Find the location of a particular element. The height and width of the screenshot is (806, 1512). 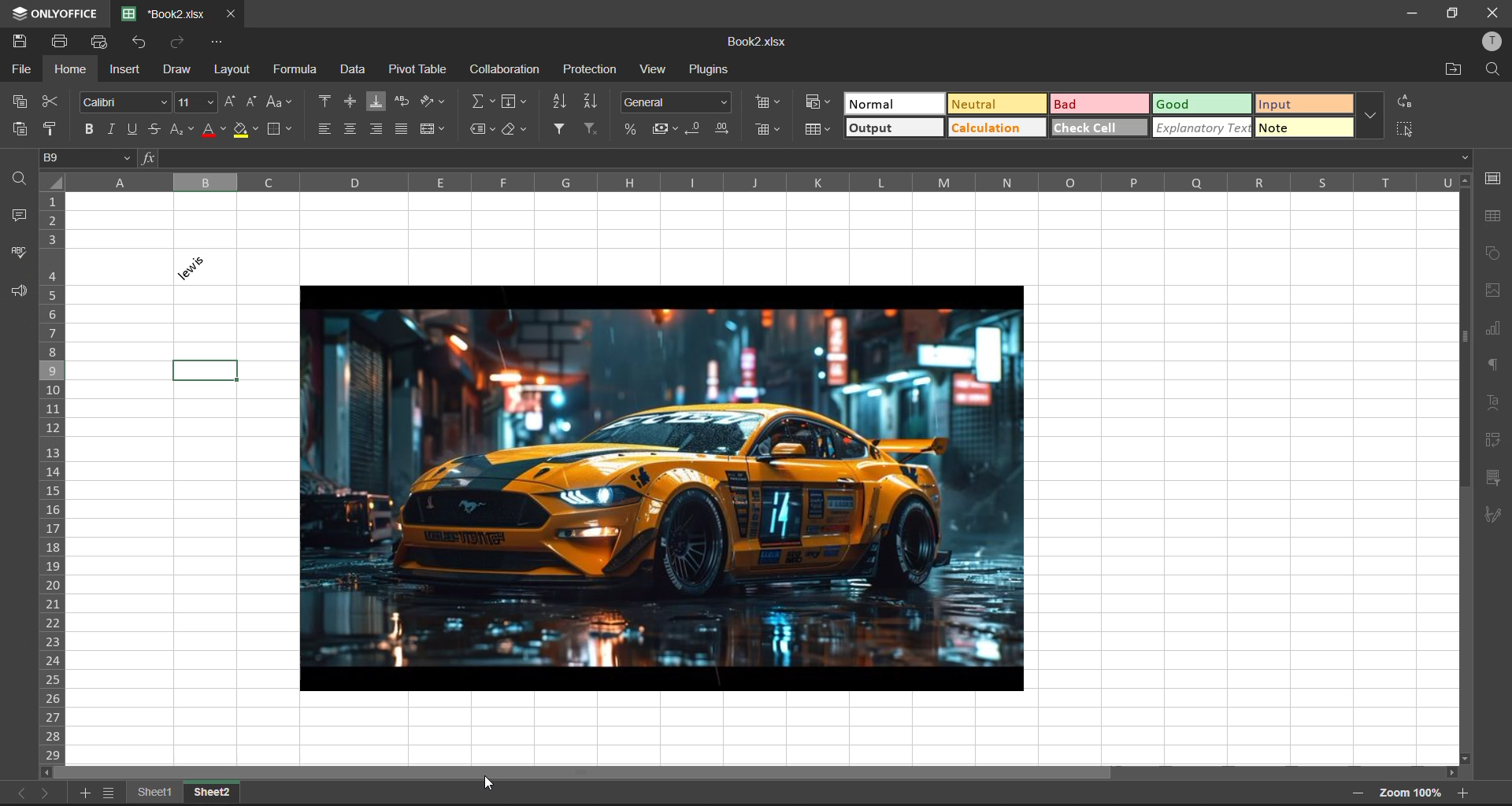

Cursor is located at coordinates (488, 783).